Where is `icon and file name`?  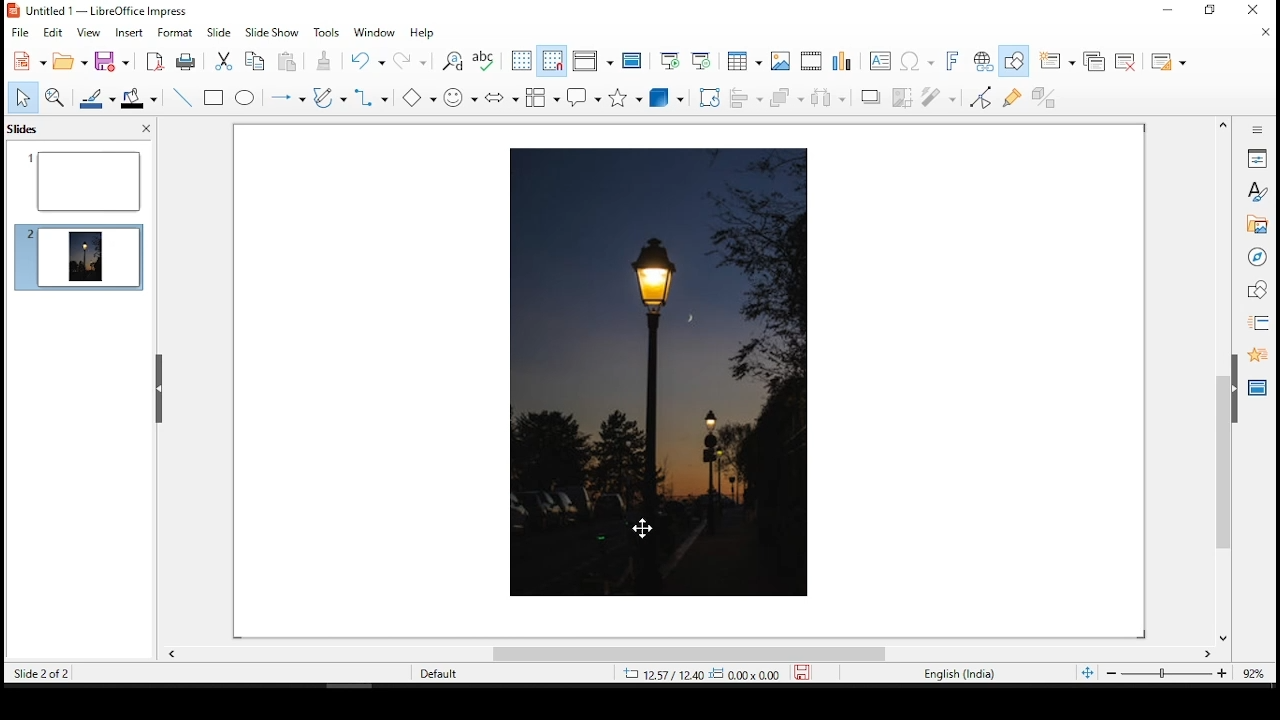
icon and file name is located at coordinates (114, 12).